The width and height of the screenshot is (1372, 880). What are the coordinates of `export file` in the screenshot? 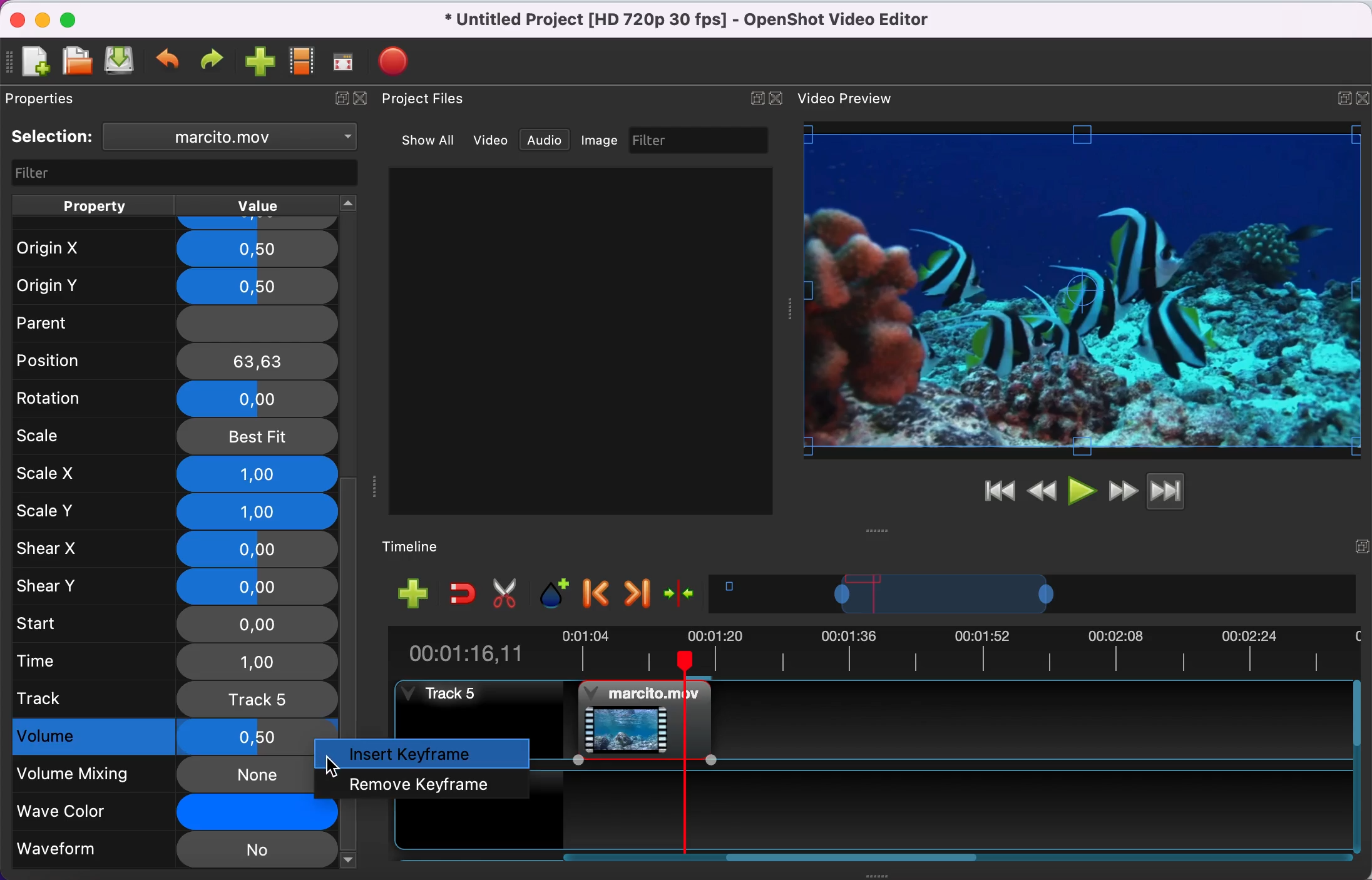 It's located at (397, 58).